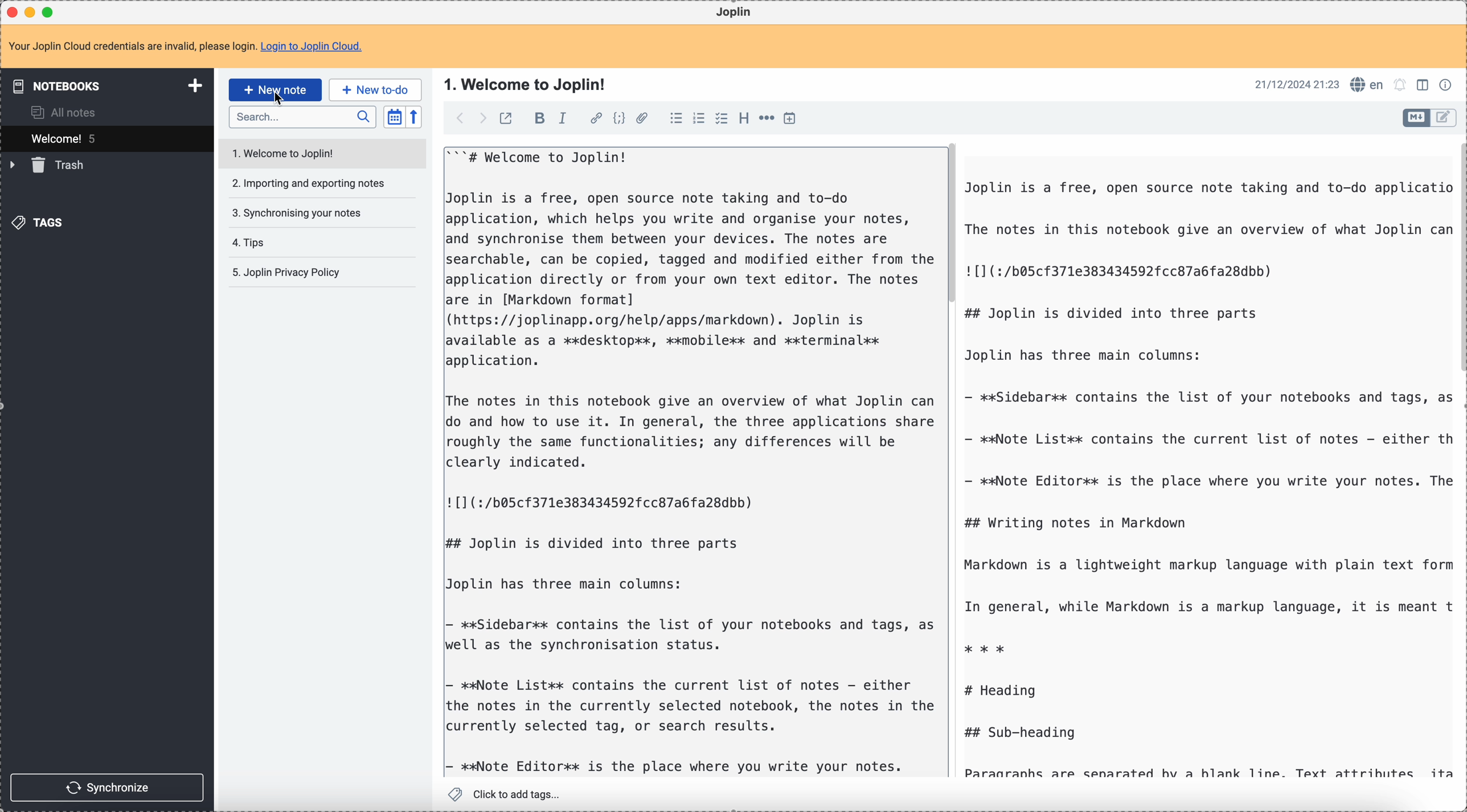 The width and height of the screenshot is (1467, 812). What do you see at coordinates (249, 244) in the screenshot?
I see `tips` at bounding box center [249, 244].